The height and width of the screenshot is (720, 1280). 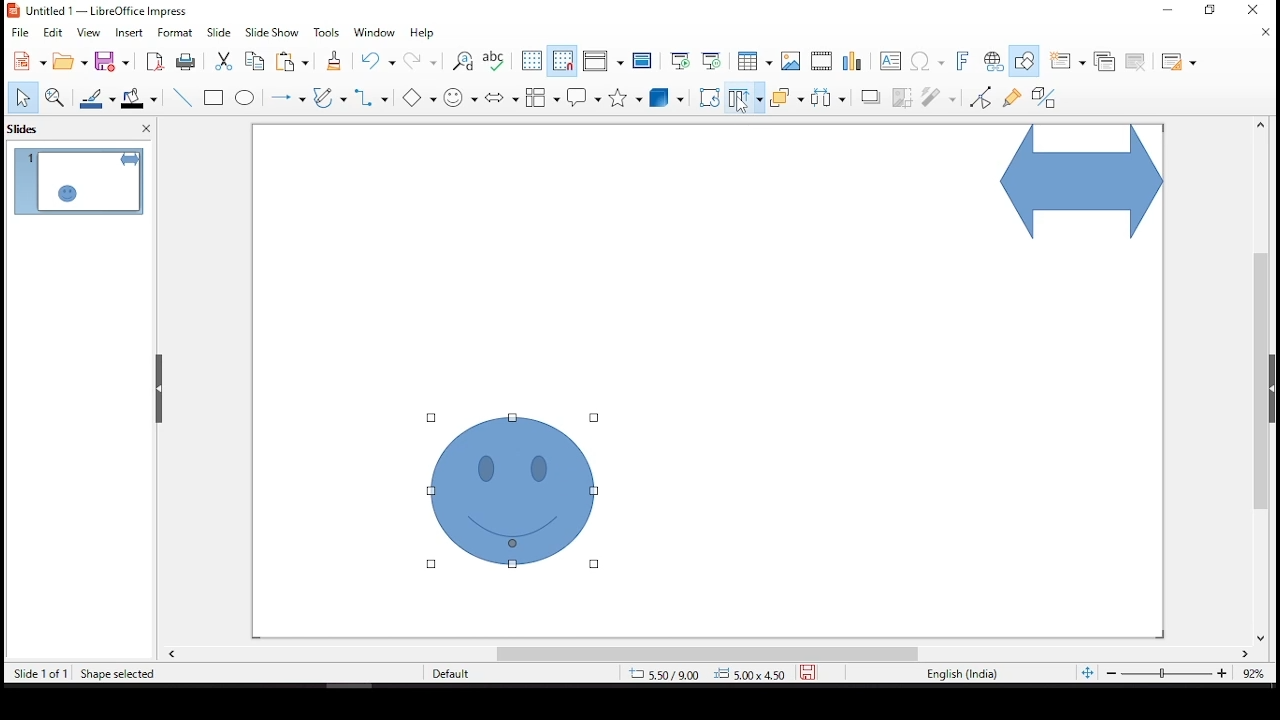 I want to click on find and replace, so click(x=463, y=62).